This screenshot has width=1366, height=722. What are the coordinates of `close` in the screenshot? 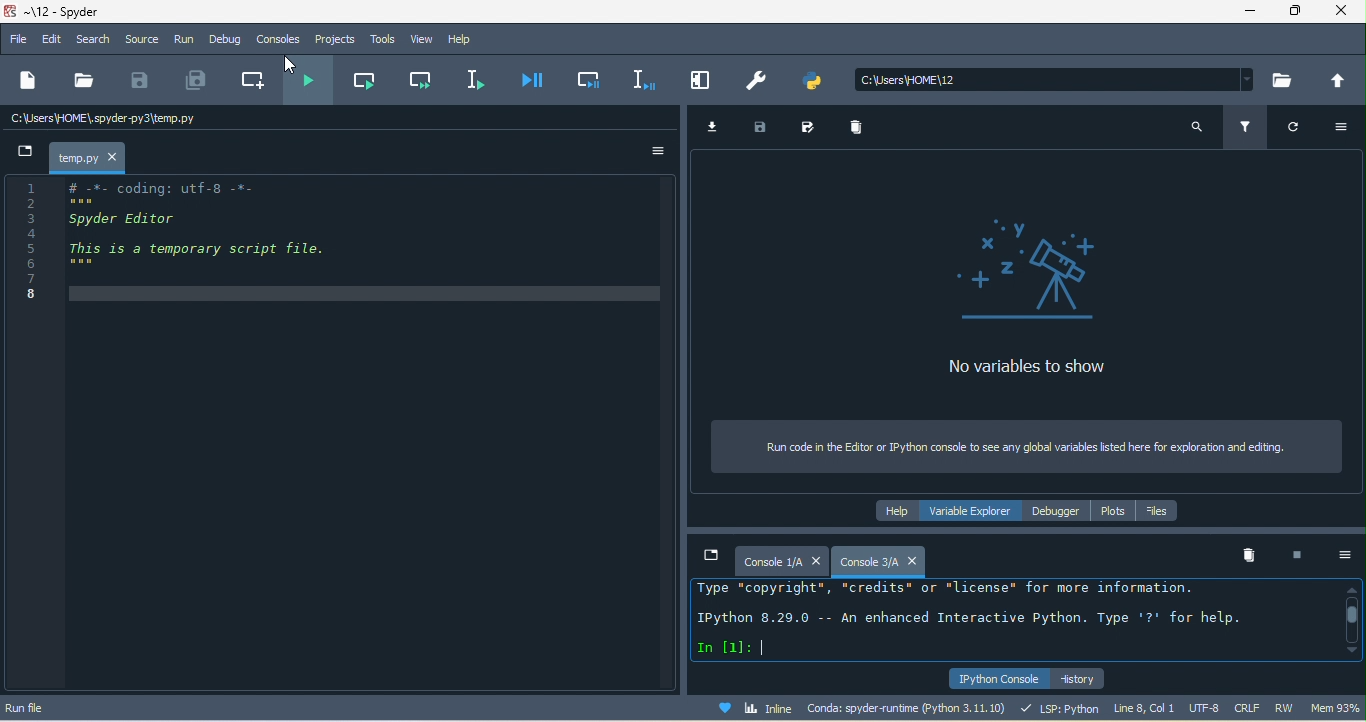 It's located at (1346, 13).